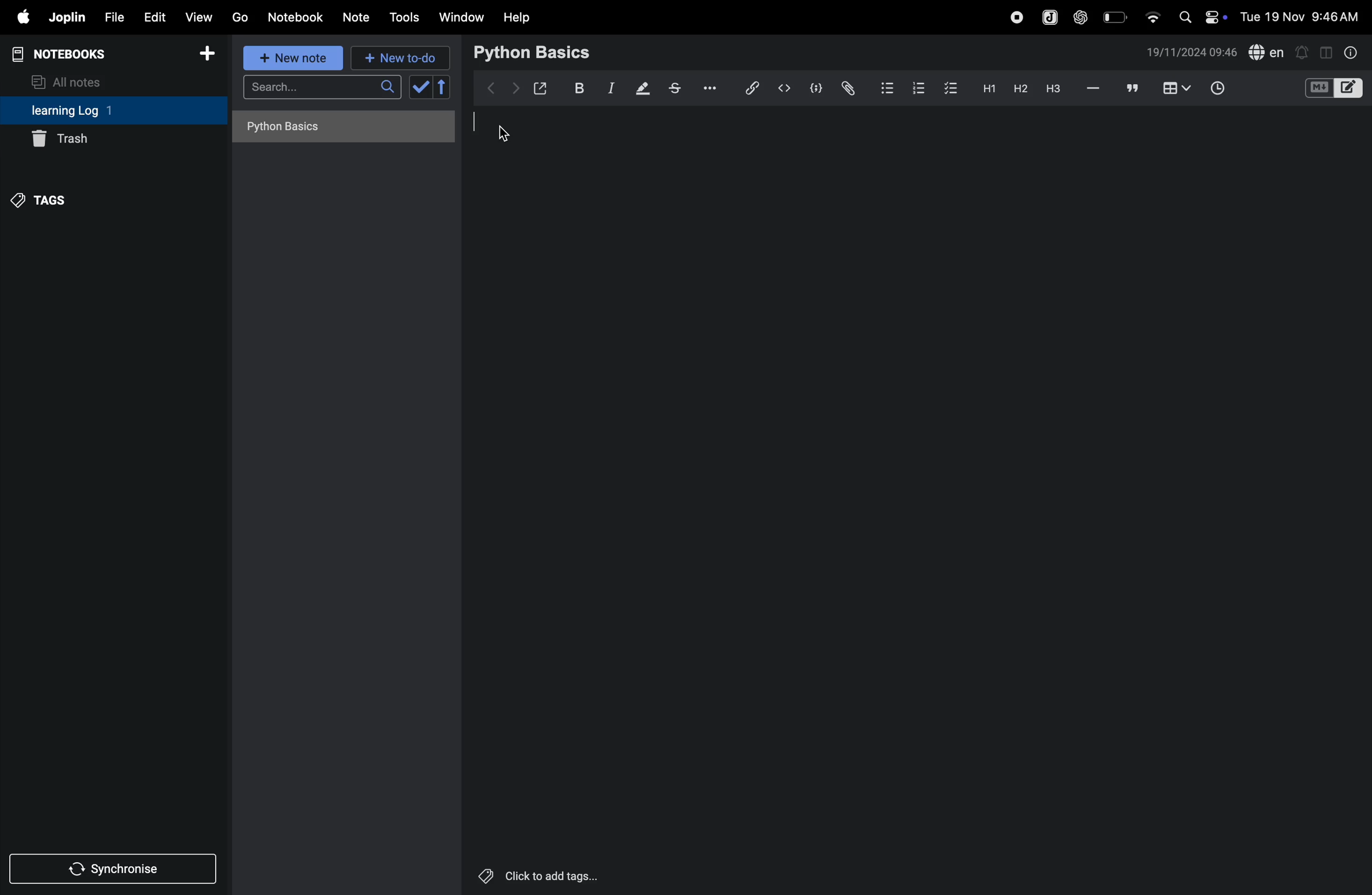 The height and width of the screenshot is (895, 1372). Describe the element at coordinates (88, 111) in the screenshot. I see `learning log` at that location.